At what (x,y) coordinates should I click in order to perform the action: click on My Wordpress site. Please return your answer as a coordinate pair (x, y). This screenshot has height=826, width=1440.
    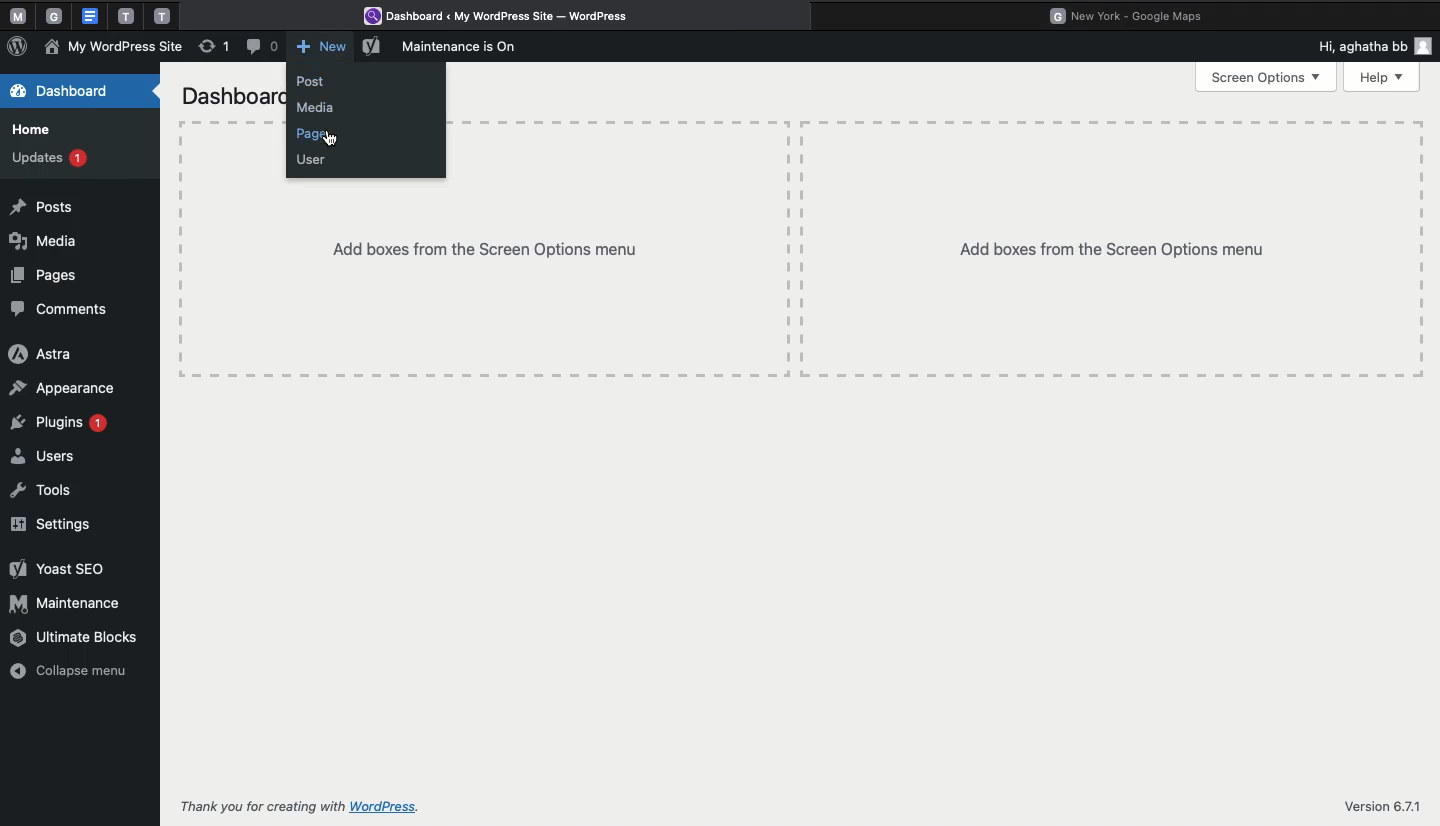
    Looking at the image, I should click on (115, 47).